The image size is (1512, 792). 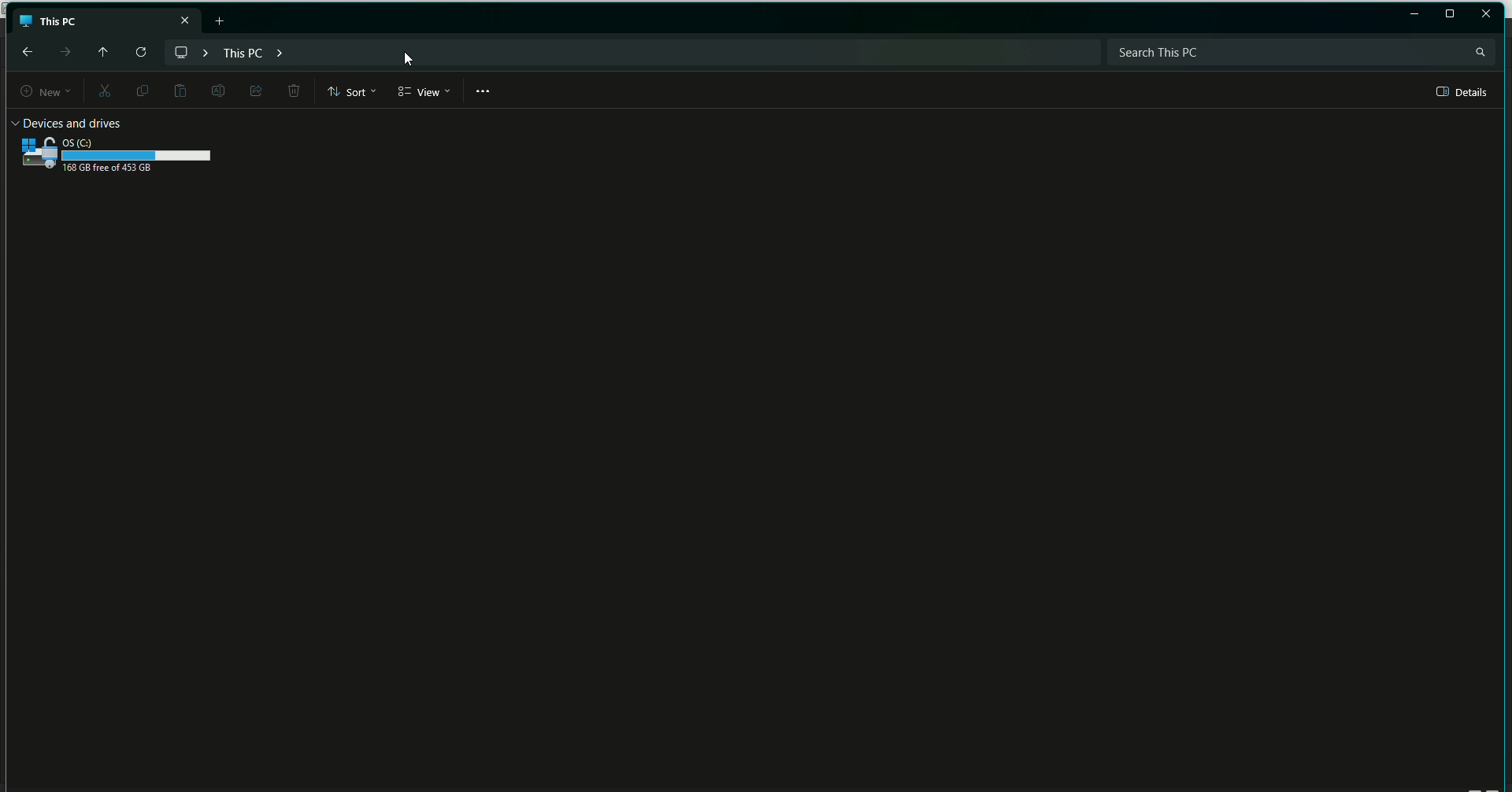 I want to click on Option, so click(x=484, y=91).